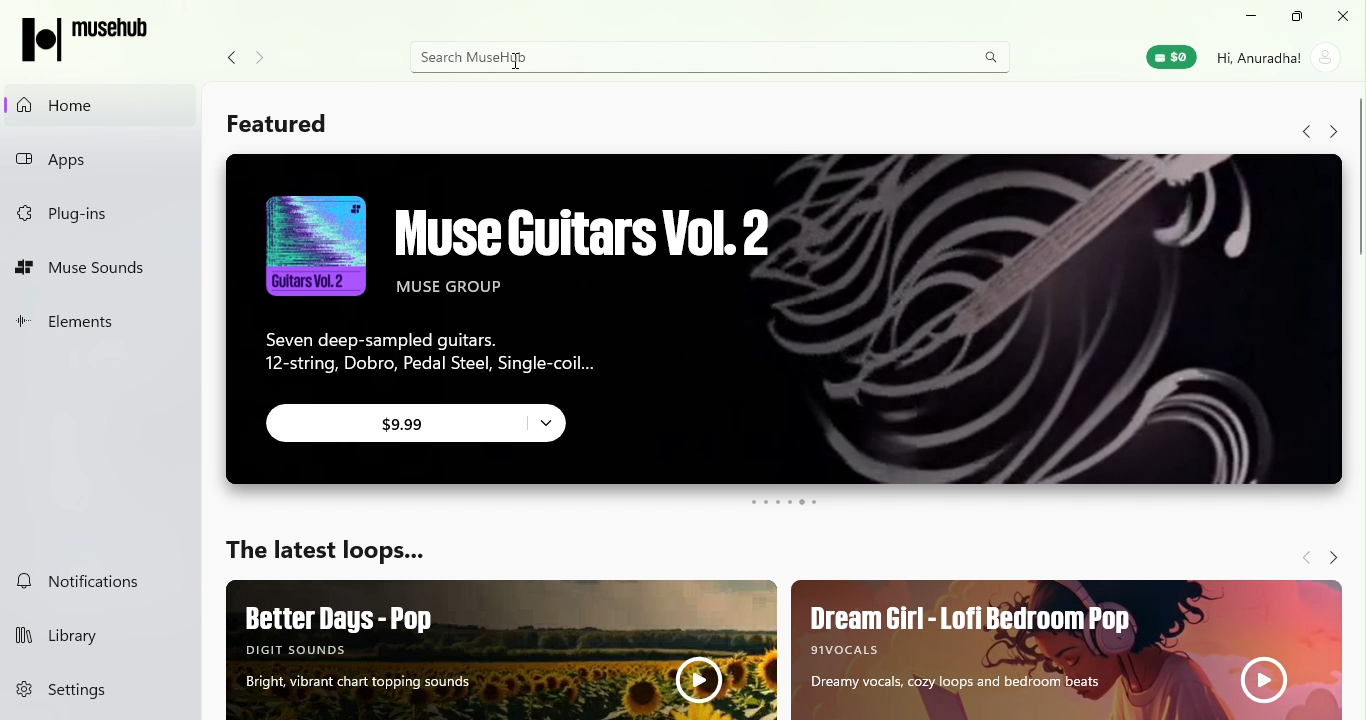 The height and width of the screenshot is (720, 1366). Describe the element at coordinates (91, 328) in the screenshot. I see `Elements` at that location.